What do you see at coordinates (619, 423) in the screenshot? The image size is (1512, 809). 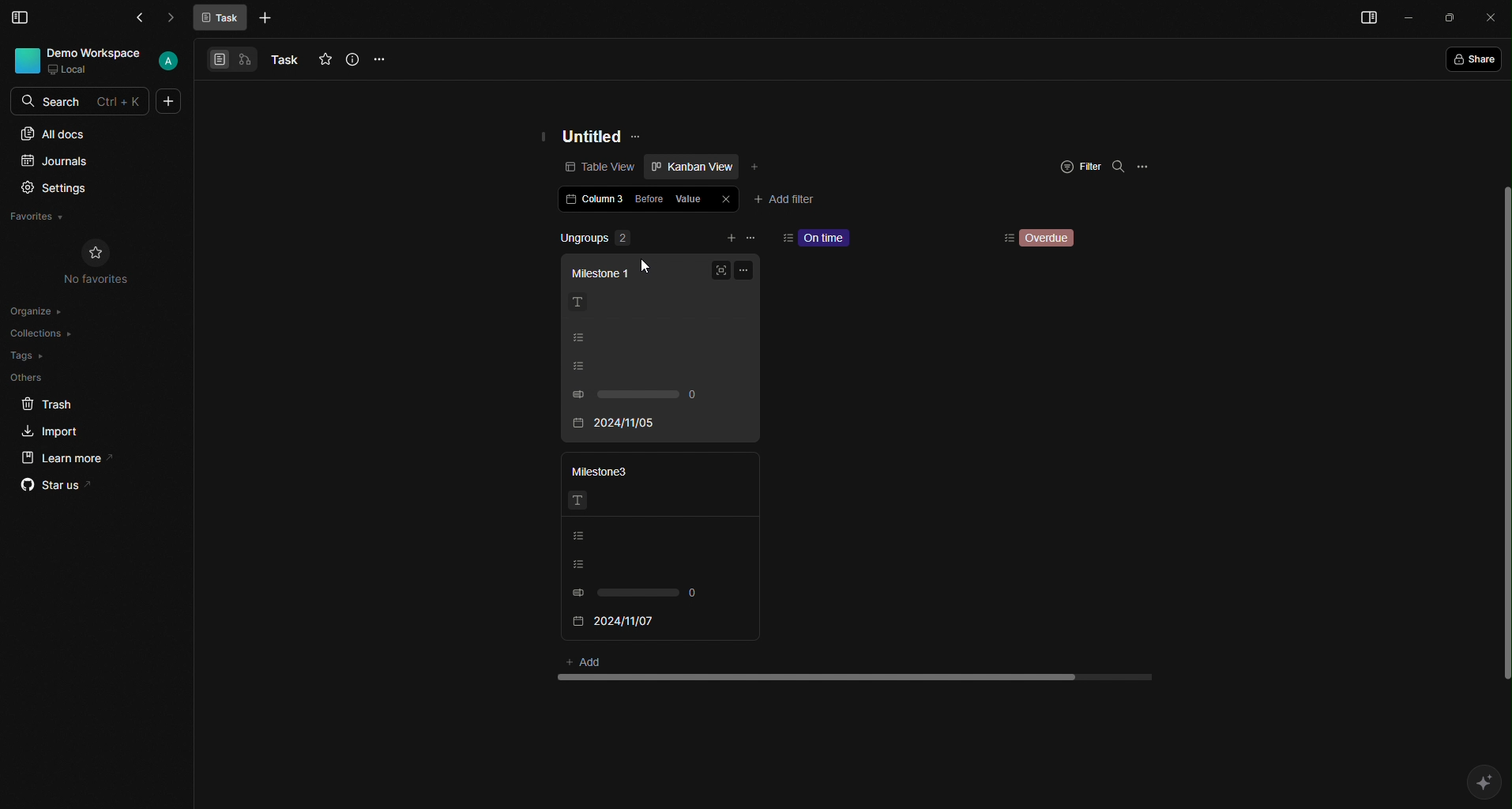 I see `2024/11/05` at bounding box center [619, 423].